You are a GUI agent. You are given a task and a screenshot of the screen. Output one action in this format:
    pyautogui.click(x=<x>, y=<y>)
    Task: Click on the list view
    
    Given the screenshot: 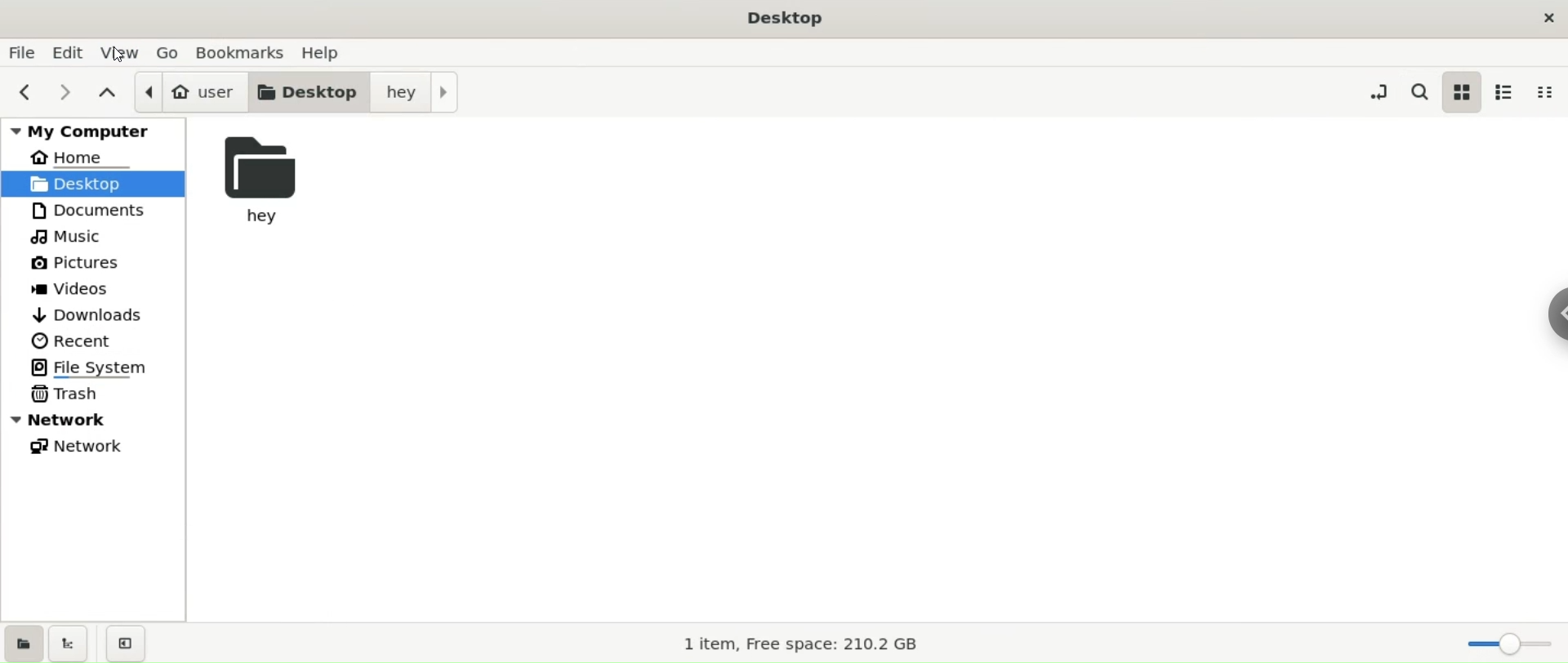 What is the action you would take?
    pyautogui.click(x=1506, y=91)
    